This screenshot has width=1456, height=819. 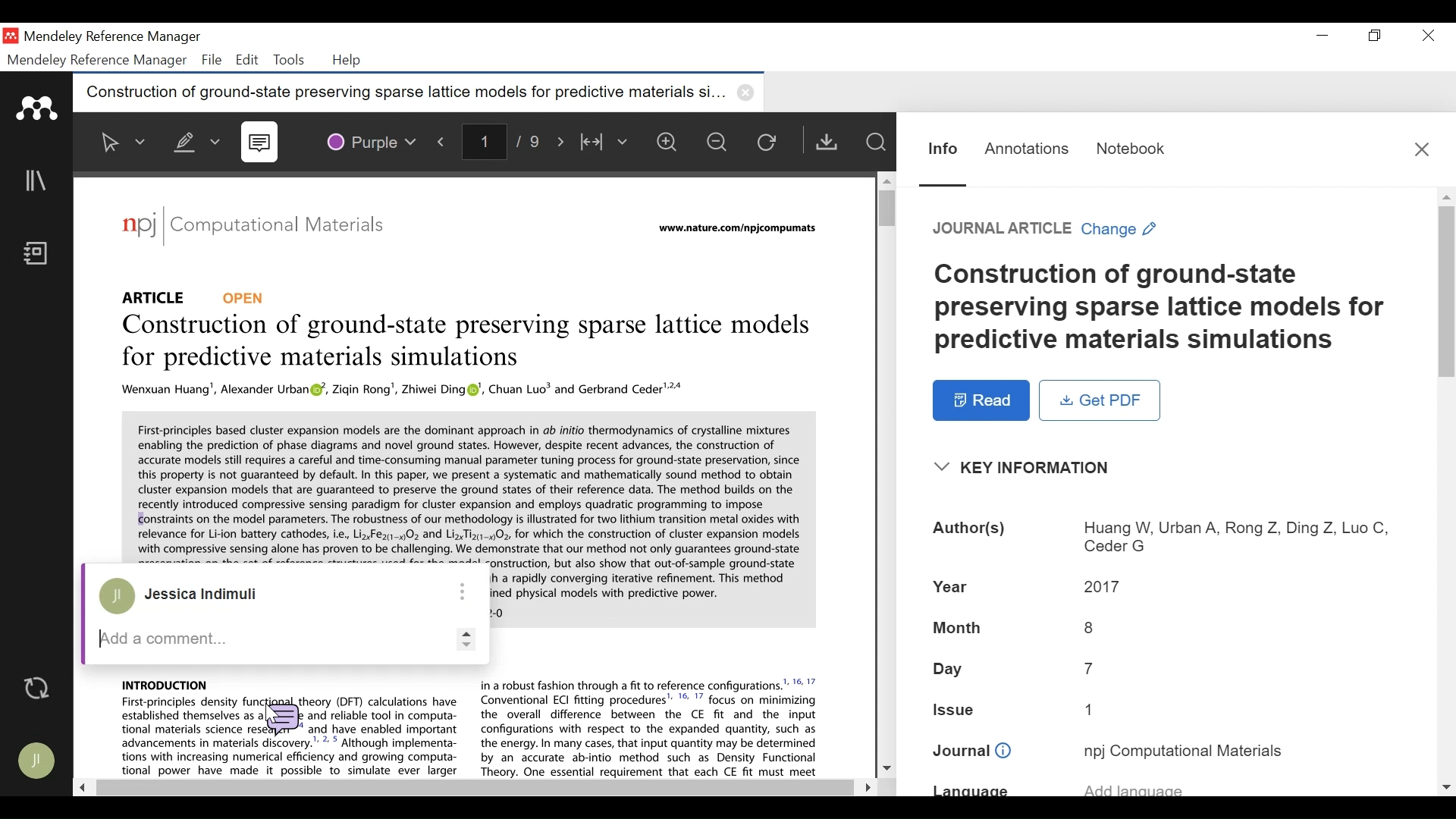 What do you see at coordinates (349, 61) in the screenshot?
I see `Help` at bounding box center [349, 61].